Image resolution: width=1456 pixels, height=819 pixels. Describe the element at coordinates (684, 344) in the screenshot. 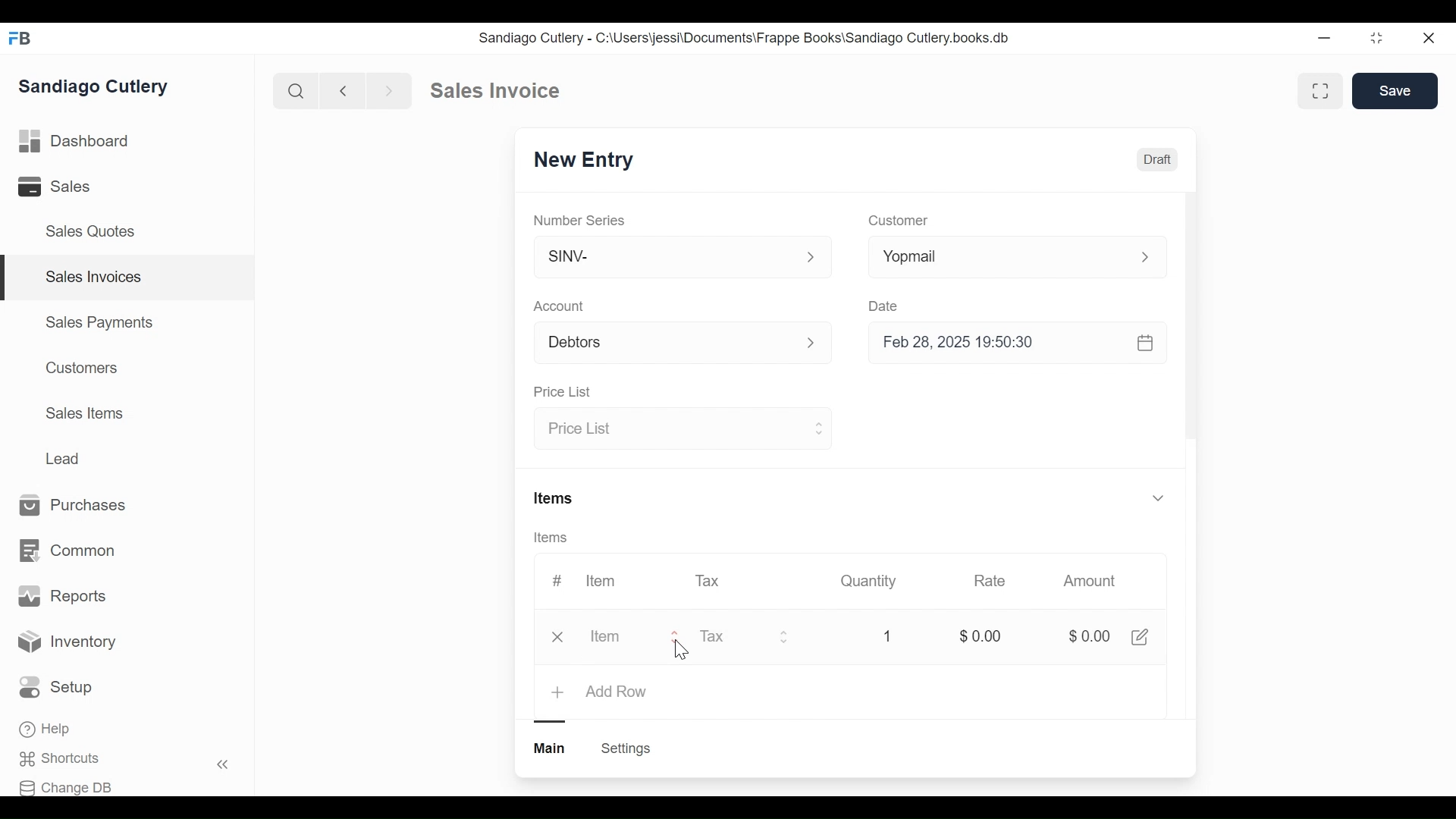

I see `Account p` at that location.